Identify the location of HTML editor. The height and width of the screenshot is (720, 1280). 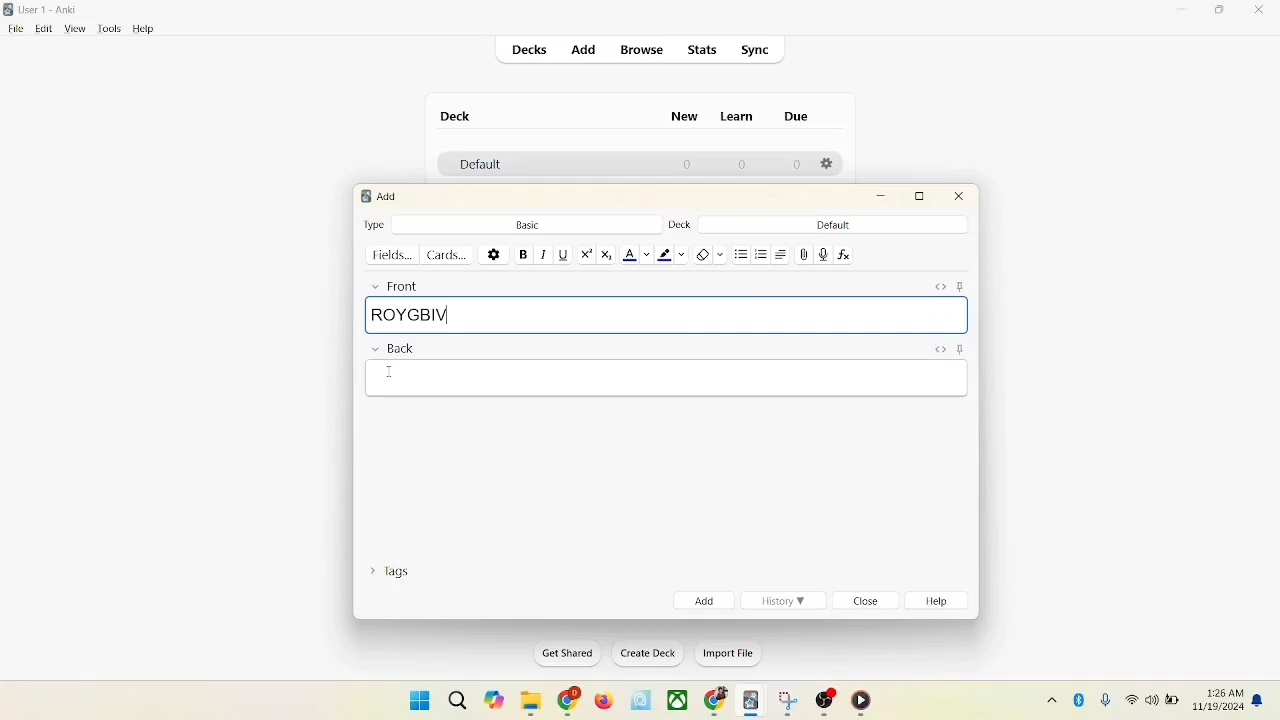
(940, 286).